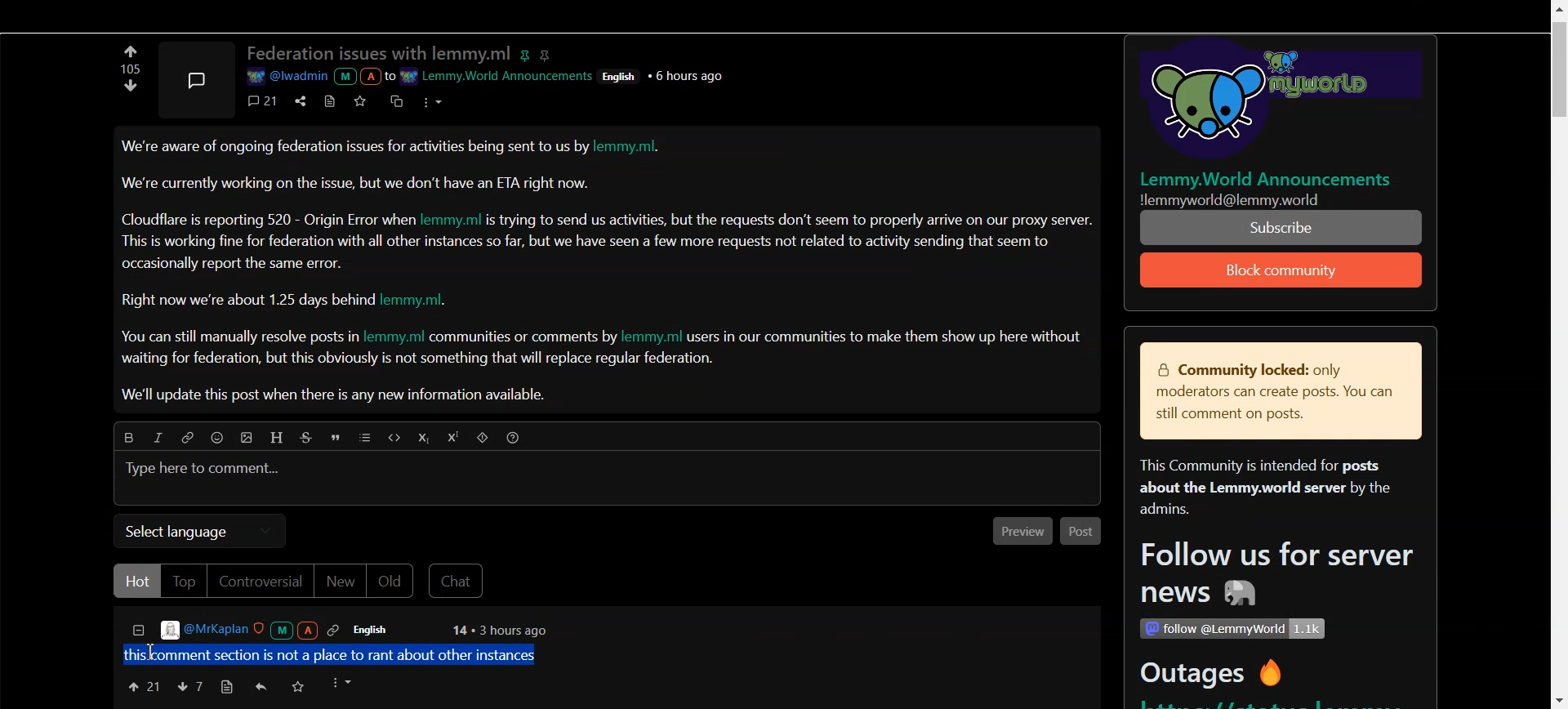  What do you see at coordinates (309, 438) in the screenshot?
I see `Strike through` at bounding box center [309, 438].